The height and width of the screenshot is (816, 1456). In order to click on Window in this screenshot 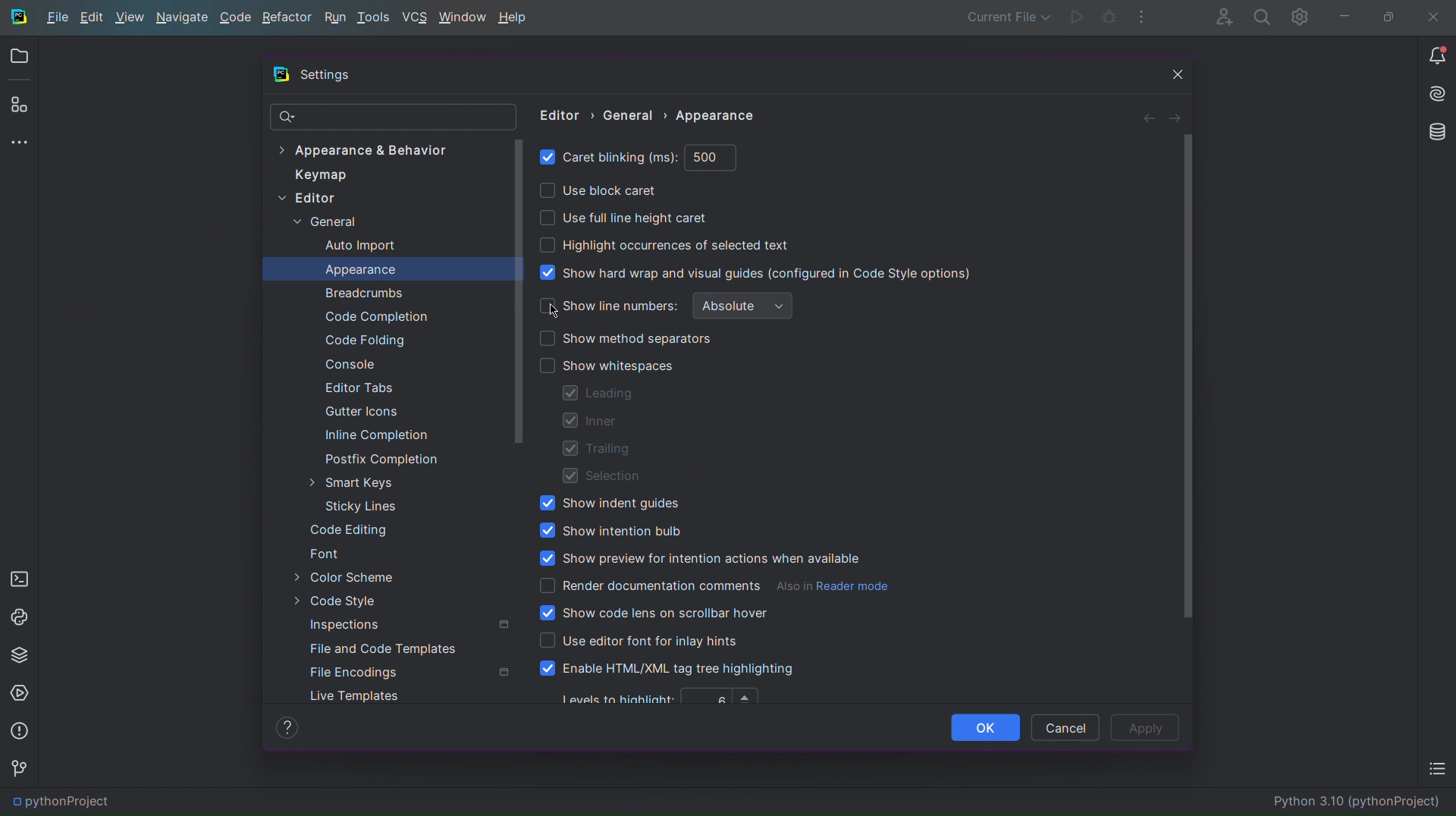, I will do `click(462, 17)`.